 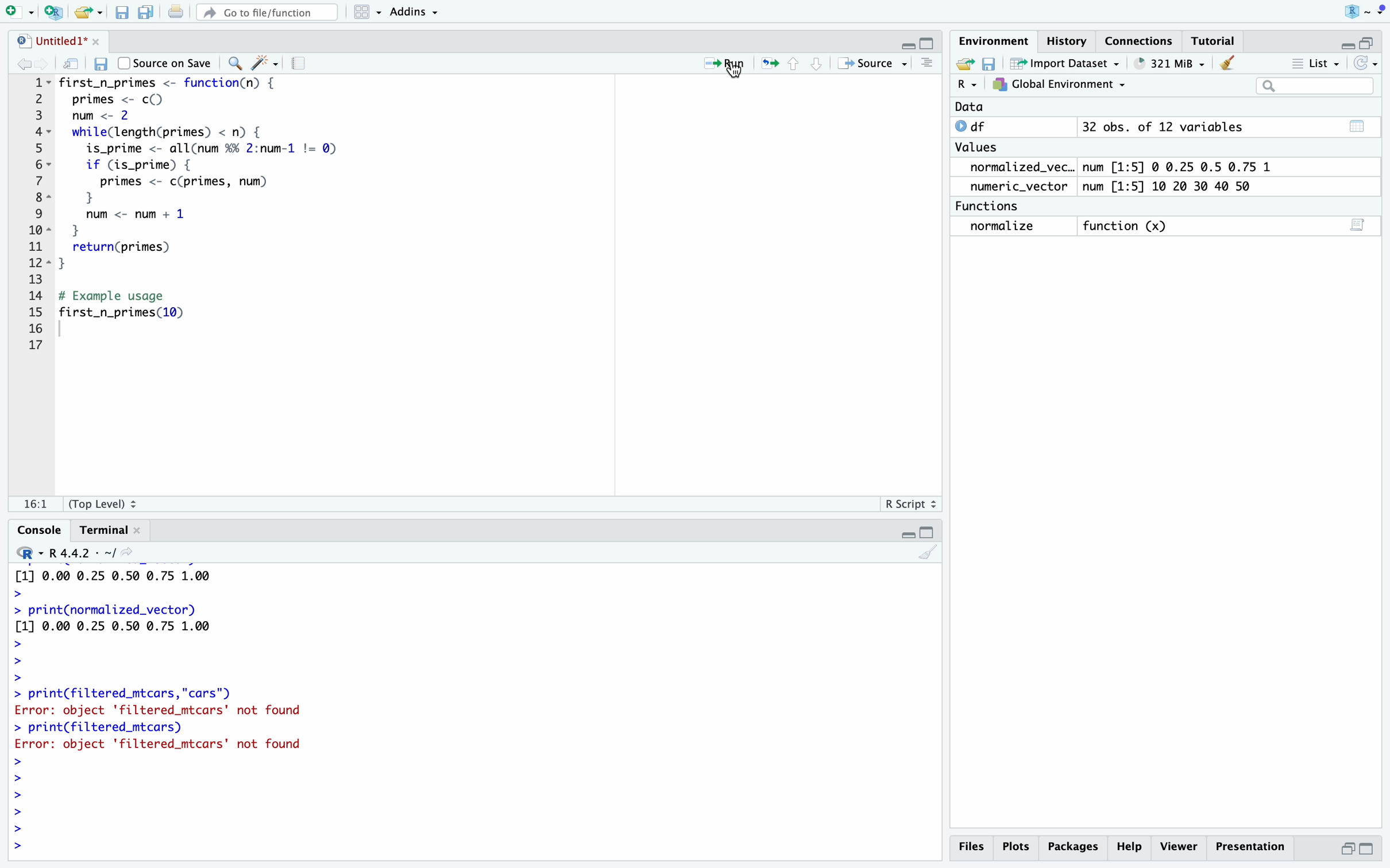 What do you see at coordinates (1309, 63) in the screenshot?
I see `= List ` at bounding box center [1309, 63].